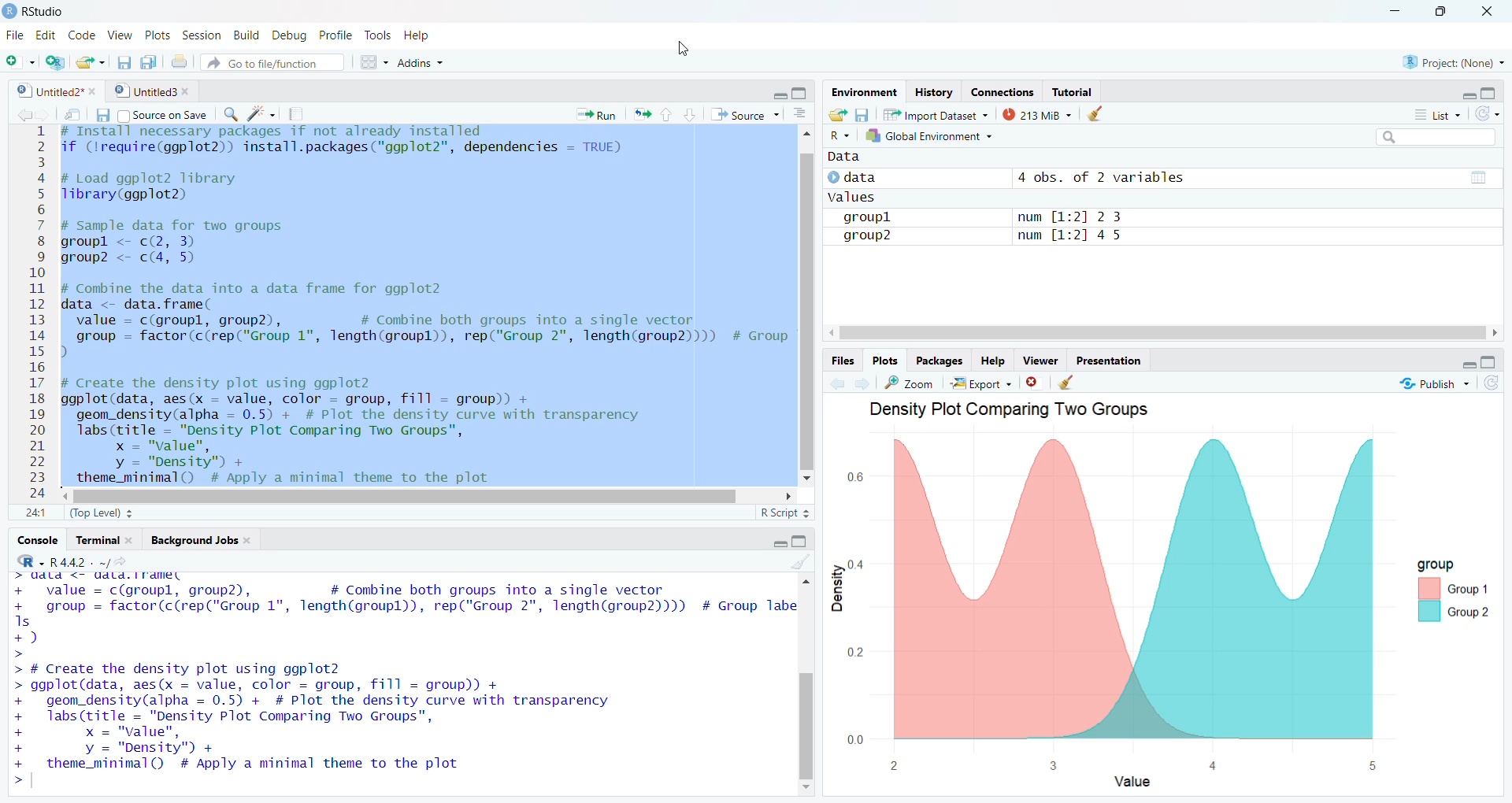 Image resolution: width=1512 pixels, height=803 pixels. What do you see at coordinates (934, 136) in the screenshot?
I see `global environment` at bounding box center [934, 136].